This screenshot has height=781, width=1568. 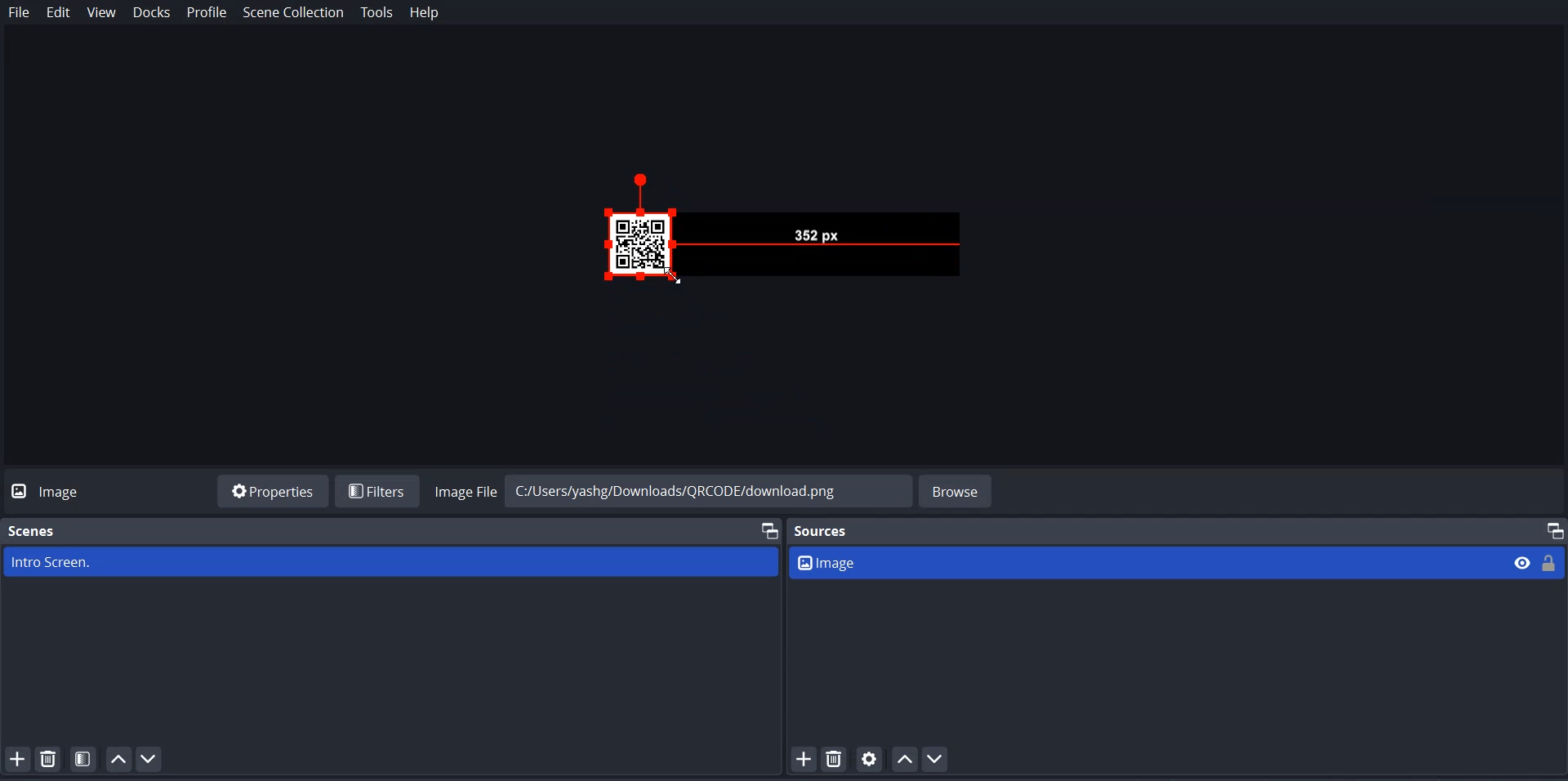 I want to click on Image File, so click(x=462, y=489).